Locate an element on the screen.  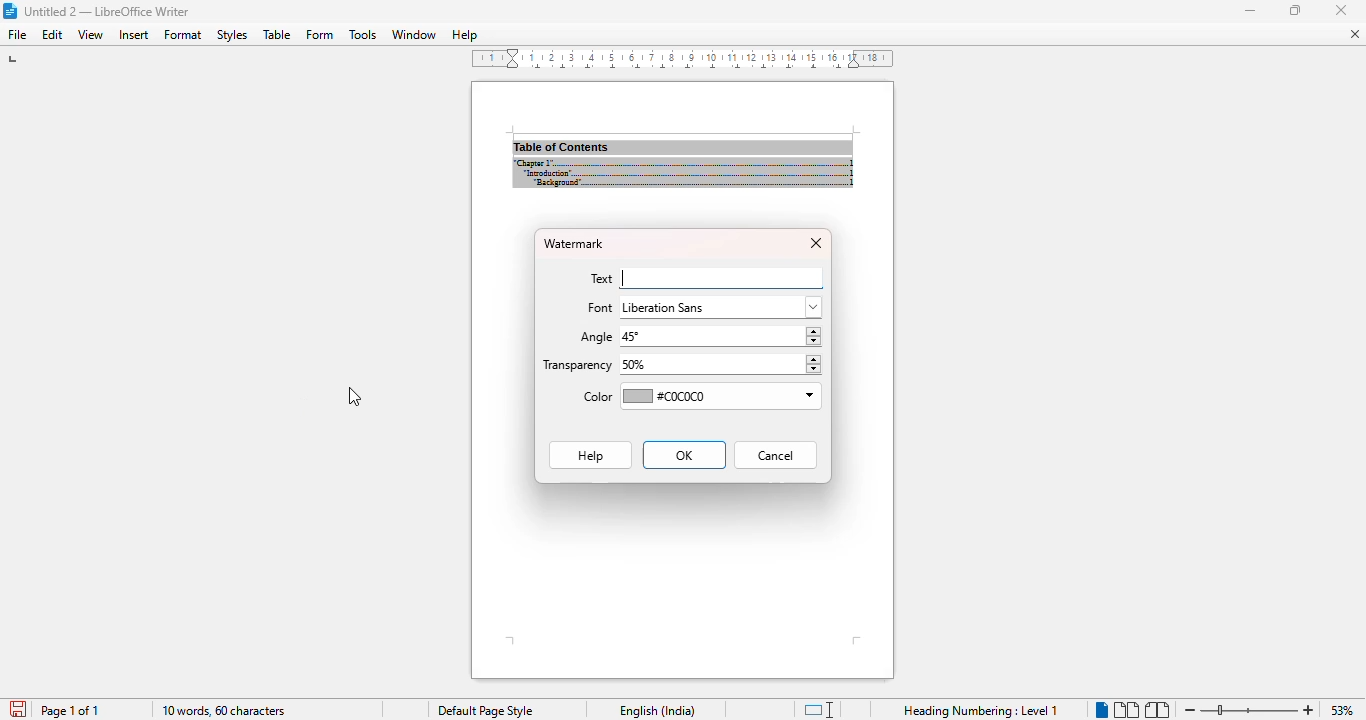
cursor is located at coordinates (355, 397).